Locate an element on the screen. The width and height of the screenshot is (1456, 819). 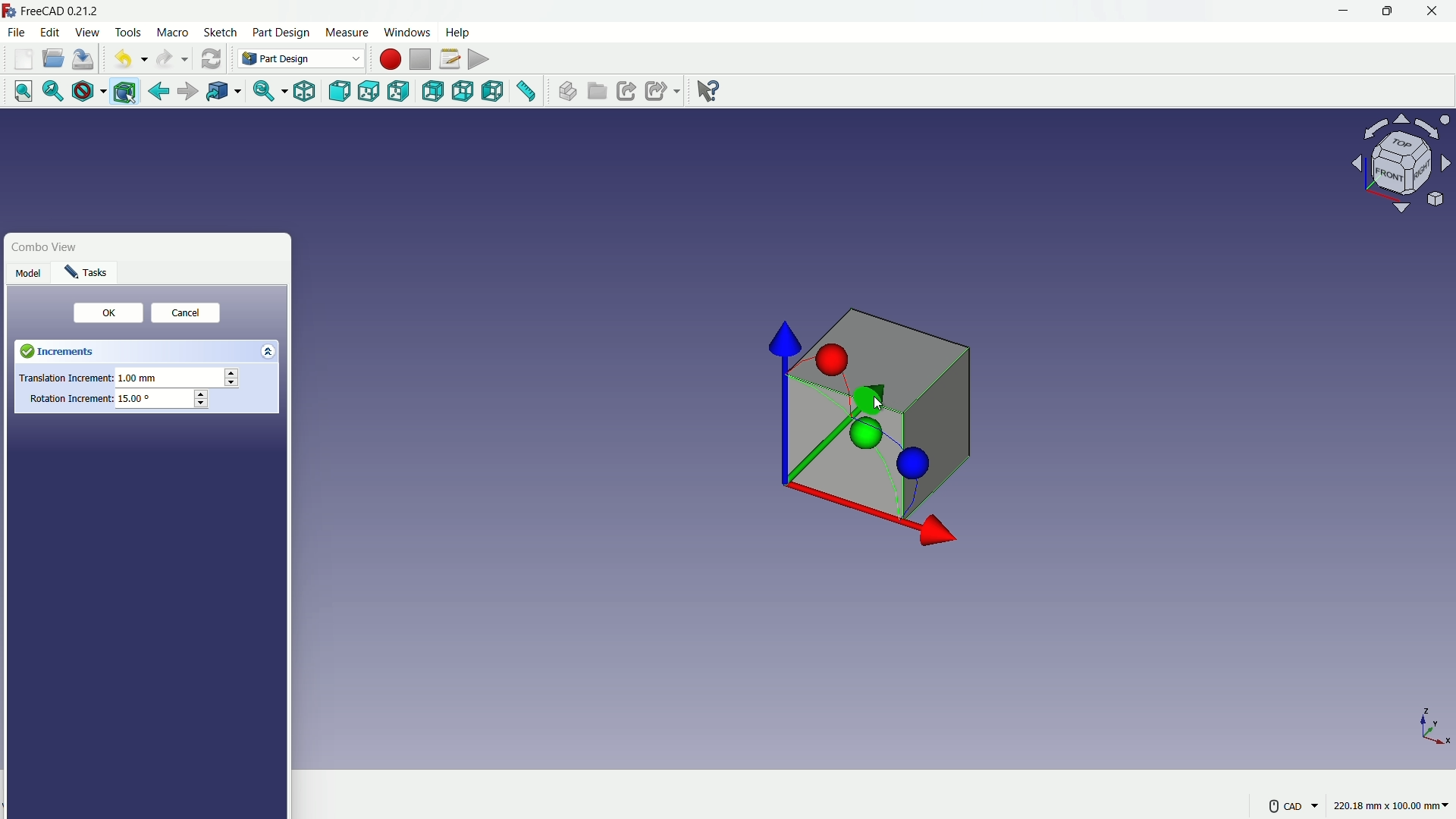
view is located at coordinates (86, 32).